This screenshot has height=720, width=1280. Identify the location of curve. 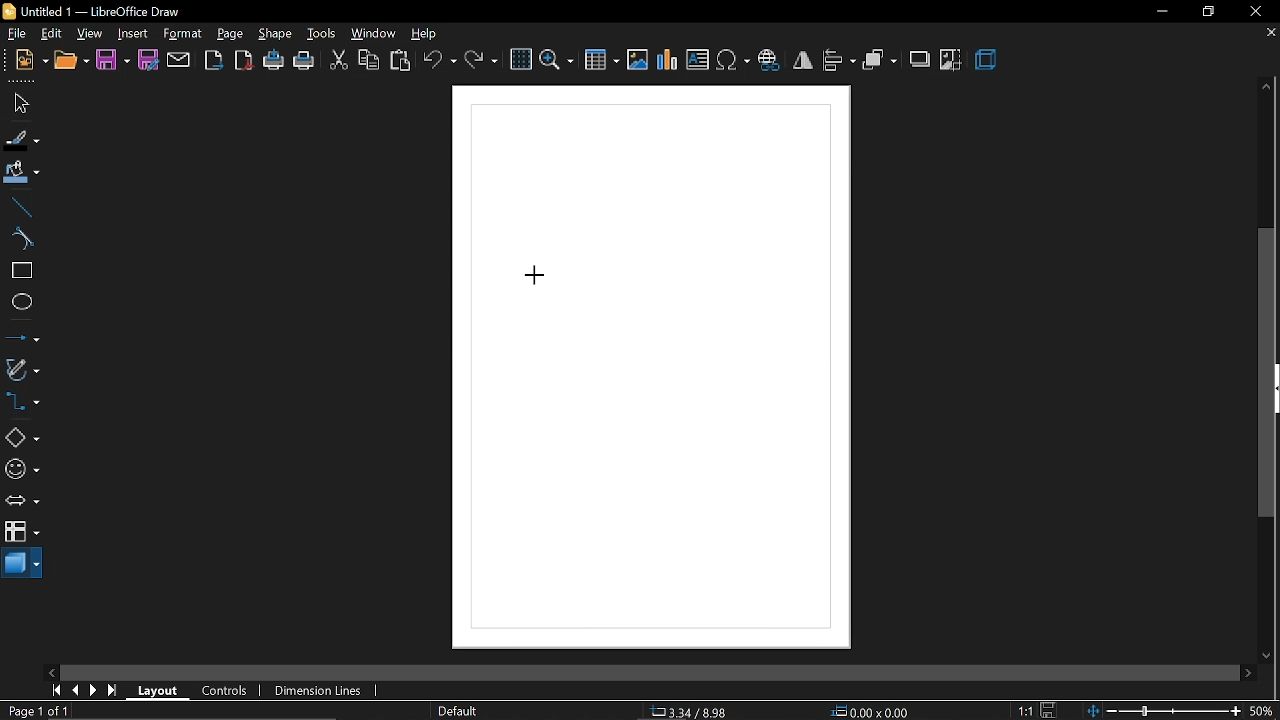
(22, 240).